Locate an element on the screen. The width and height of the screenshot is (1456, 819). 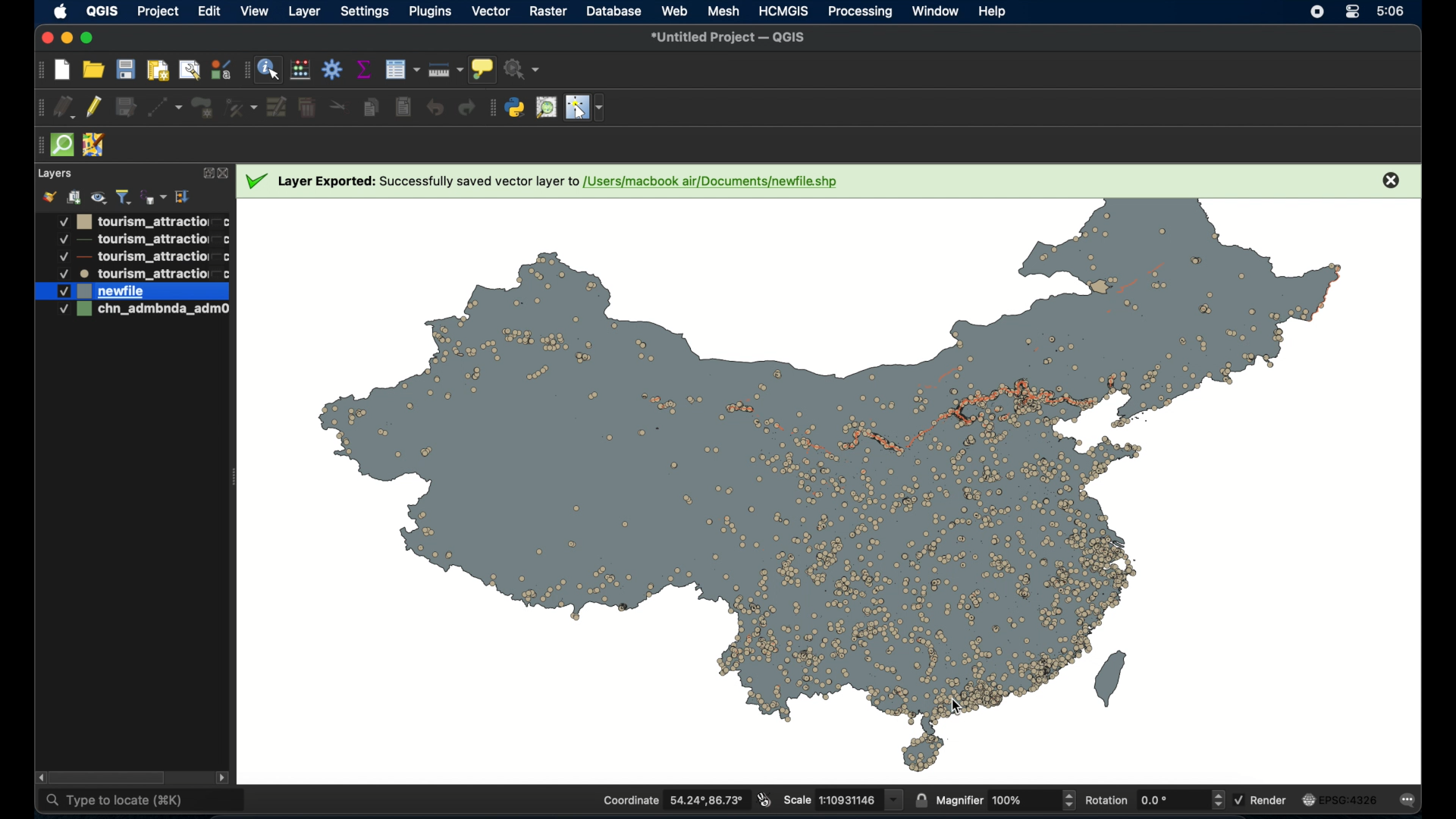
saved shape file layer  is located at coordinates (808, 491).